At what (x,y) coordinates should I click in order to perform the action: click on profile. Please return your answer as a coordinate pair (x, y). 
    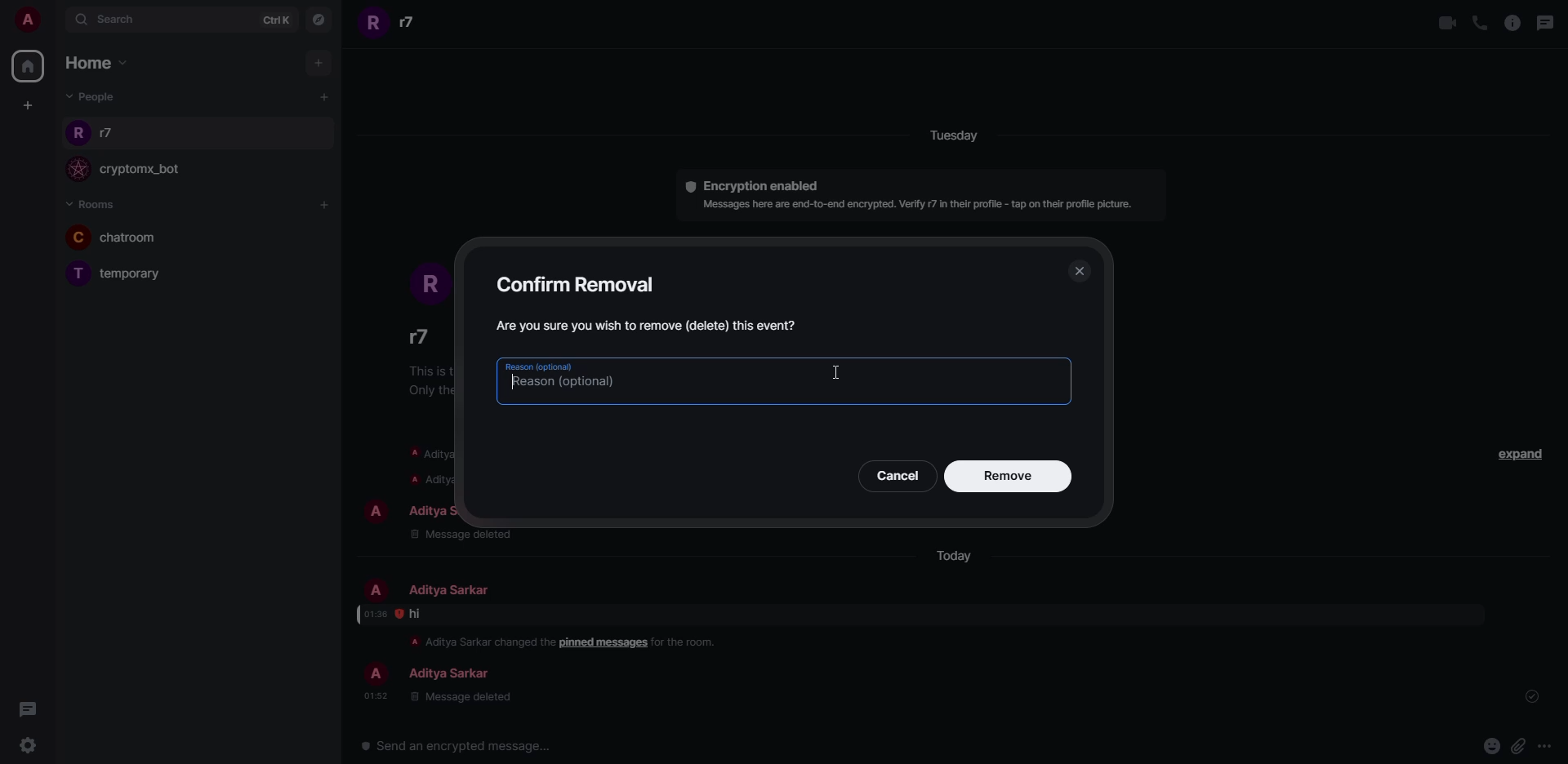
    Looking at the image, I should click on (77, 237).